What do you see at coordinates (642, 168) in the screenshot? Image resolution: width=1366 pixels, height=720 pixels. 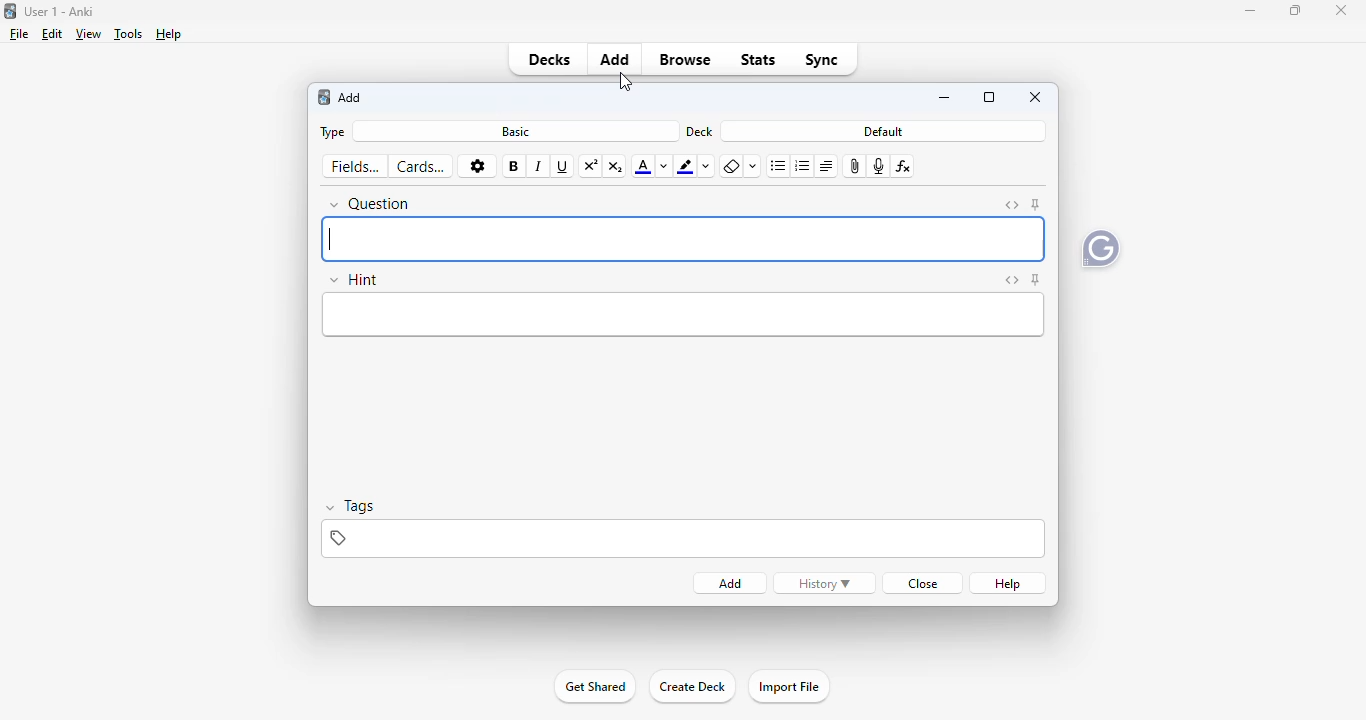 I see `text color` at bounding box center [642, 168].